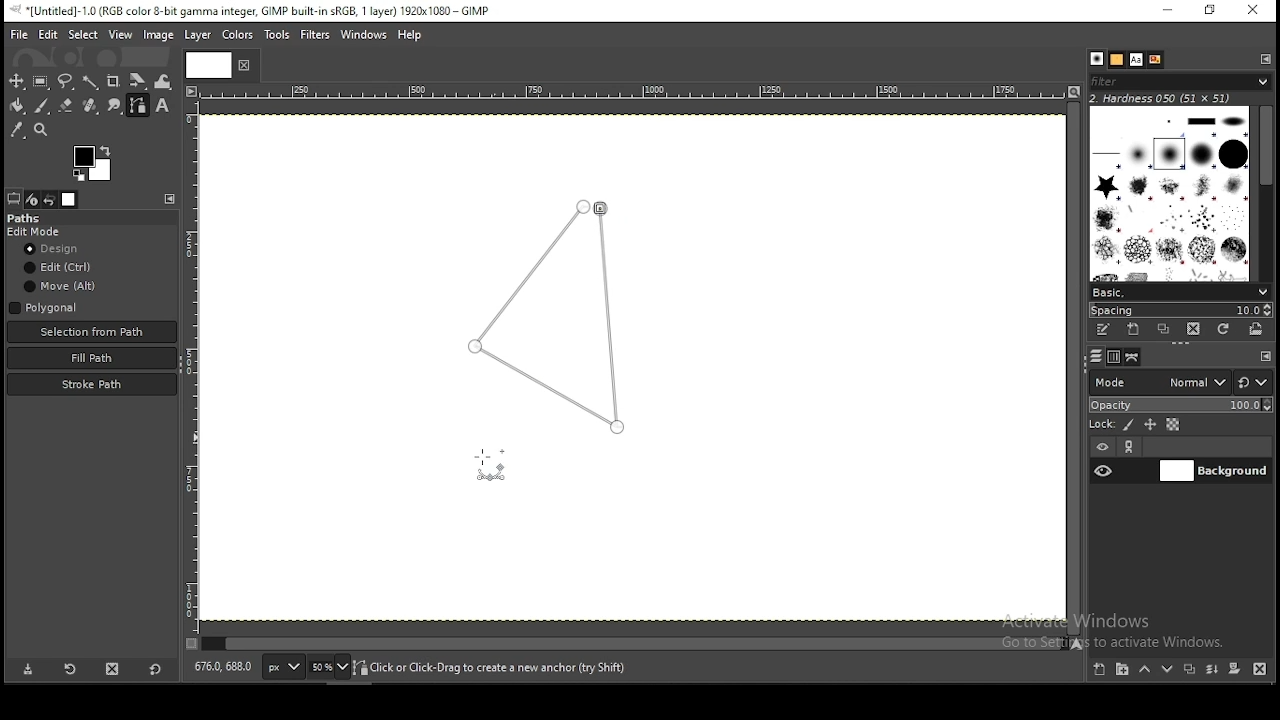  Describe the element at coordinates (1180, 310) in the screenshot. I see `spacing` at that location.